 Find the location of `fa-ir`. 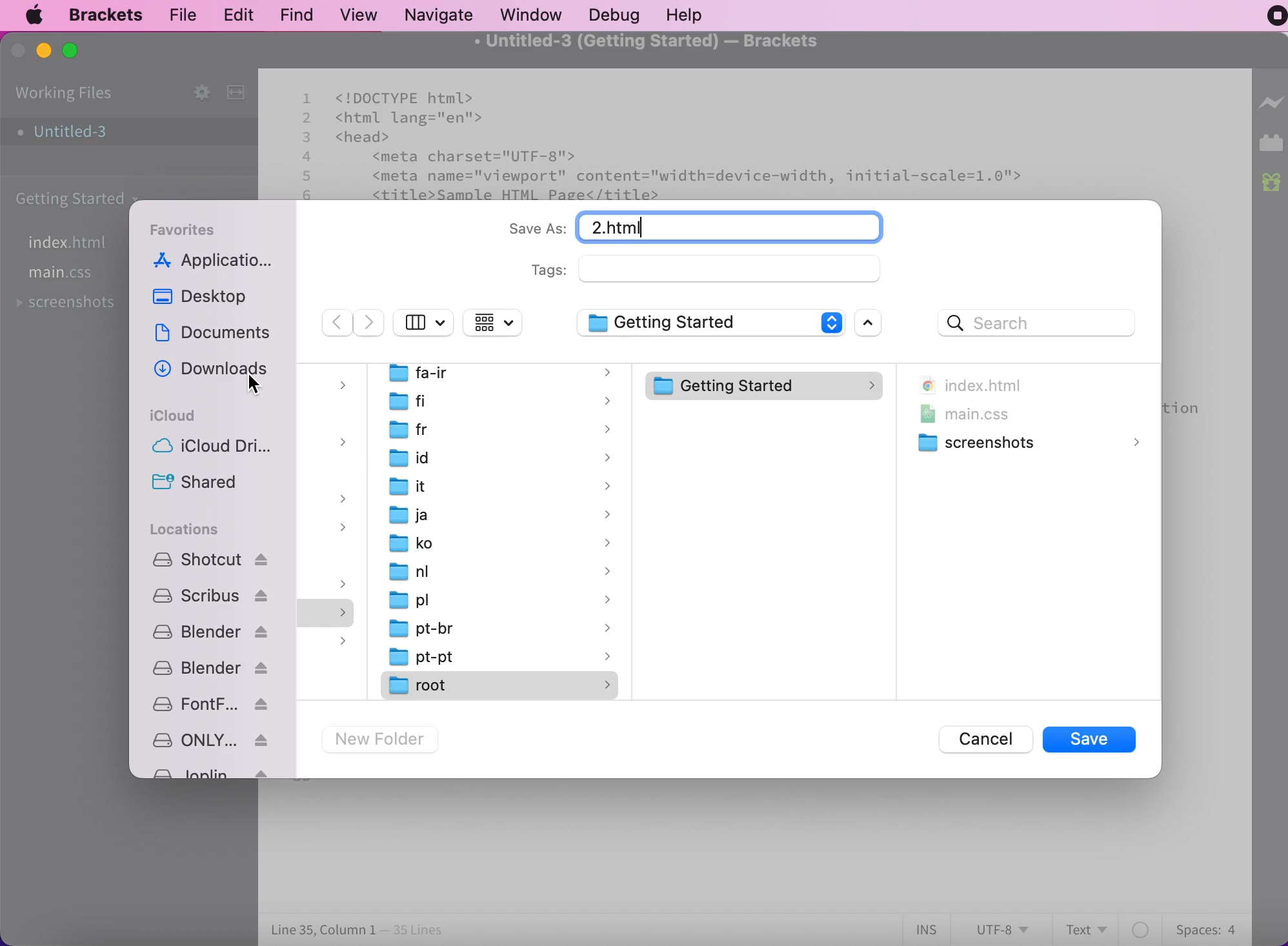

fa-ir is located at coordinates (502, 374).